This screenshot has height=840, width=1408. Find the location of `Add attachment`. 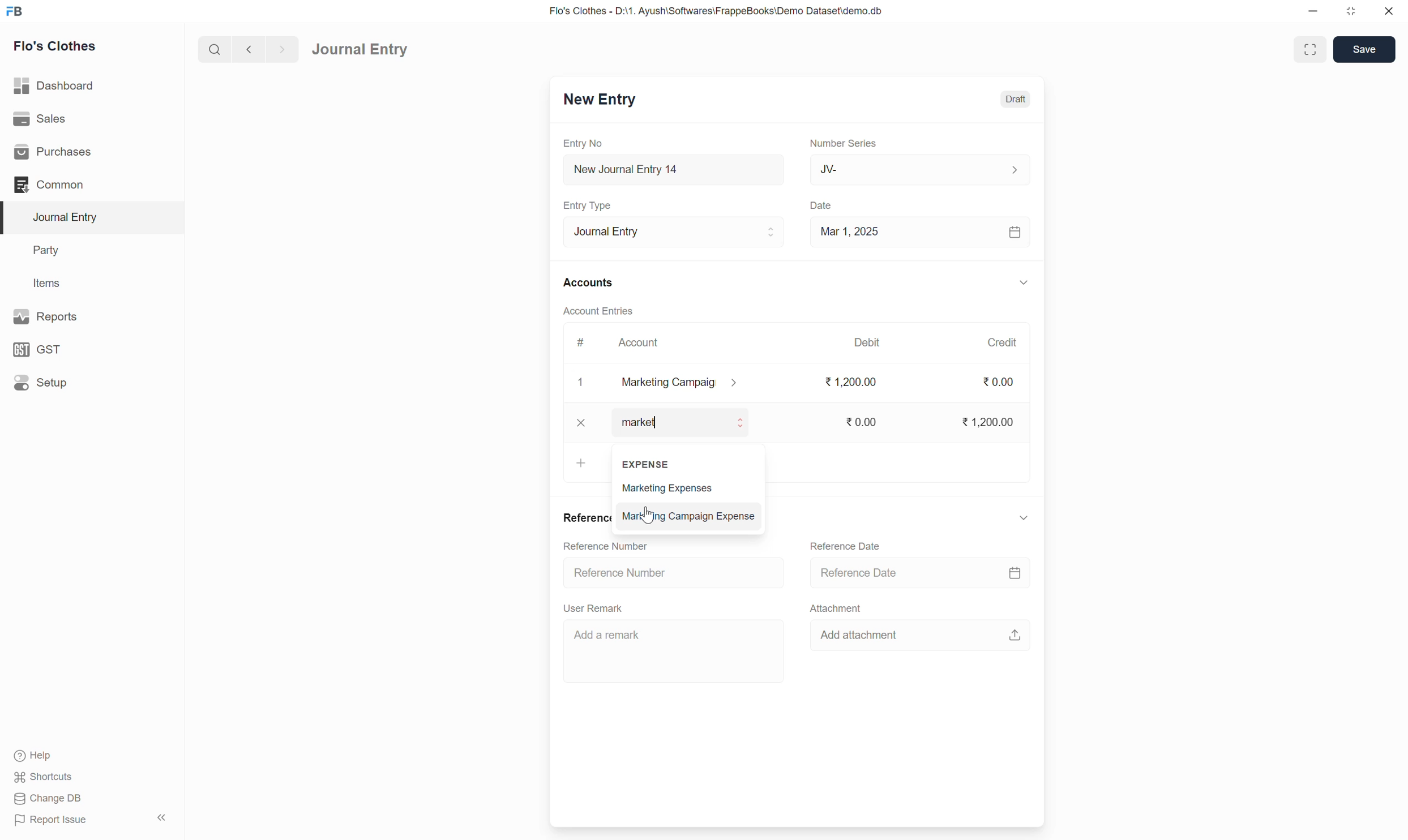

Add attachment is located at coordinates (863, 636).